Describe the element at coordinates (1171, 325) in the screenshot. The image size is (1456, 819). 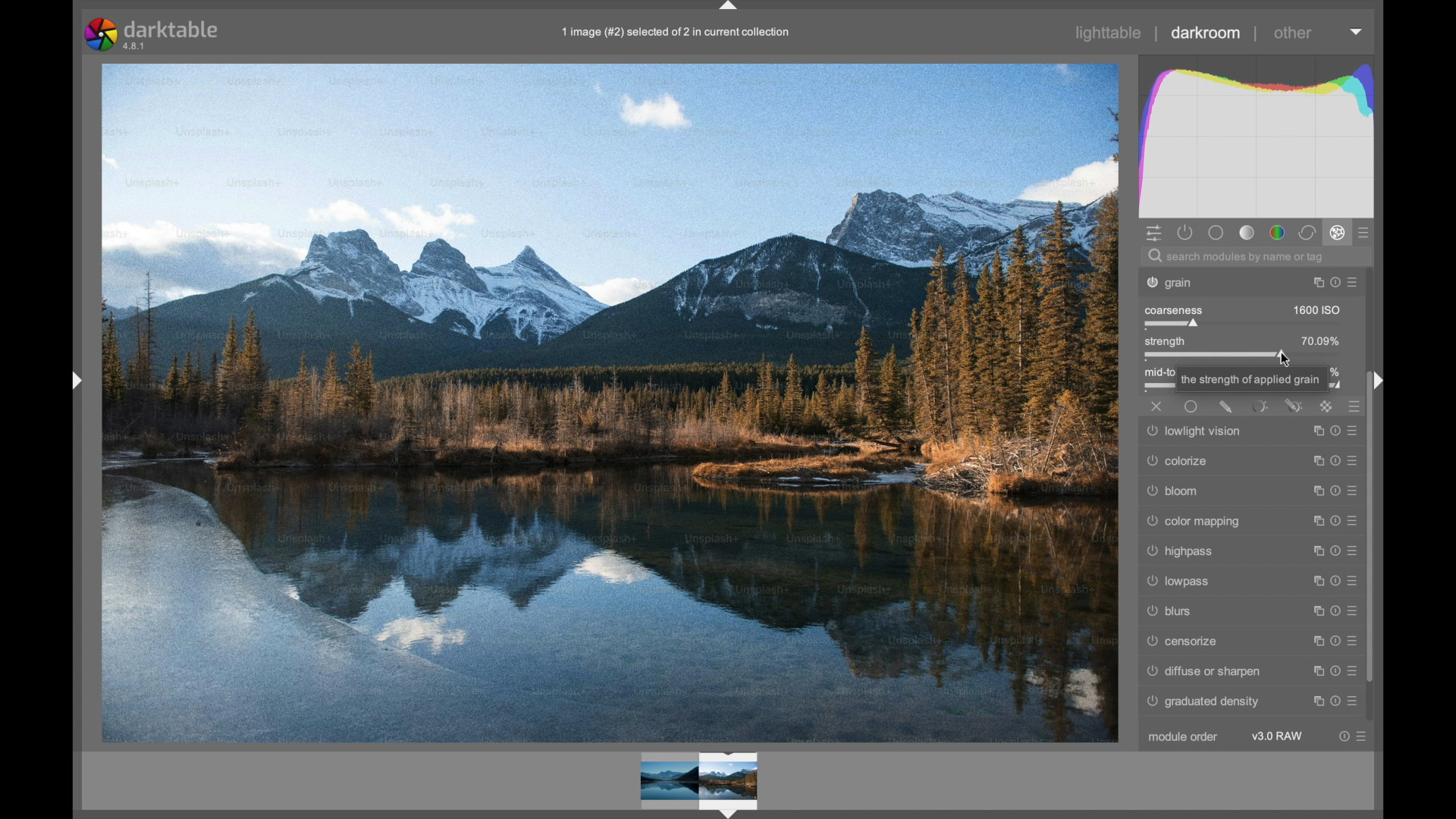
I see `slider` at that location.